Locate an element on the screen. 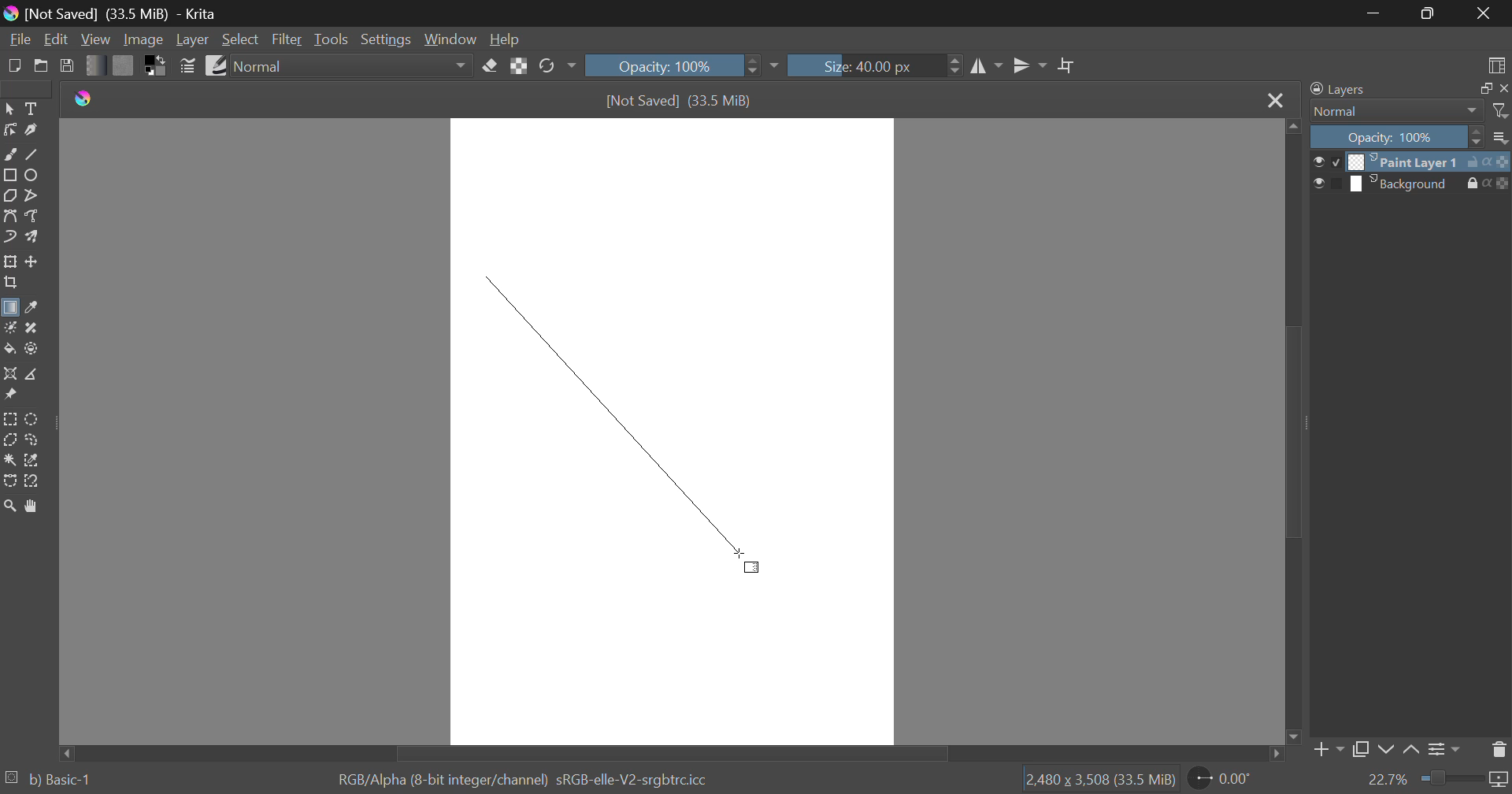 This screenshot has height=794, width=1512. View is located at coordinates (96, 39).